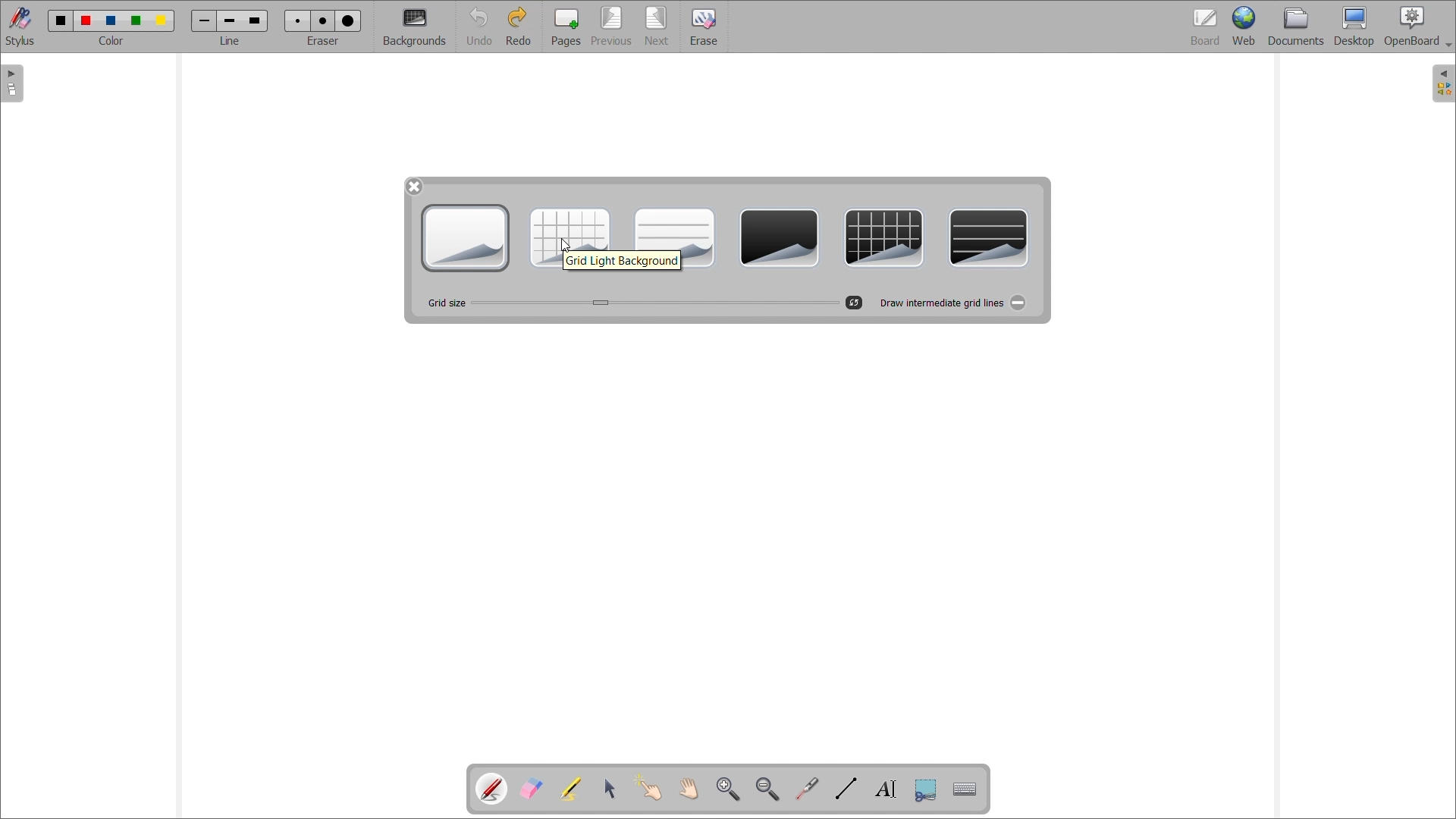 This screenshot has height=819, width=1456. Describe the element at coordinates (704, 27) in the screenshot. I see `Eraser` at that location.